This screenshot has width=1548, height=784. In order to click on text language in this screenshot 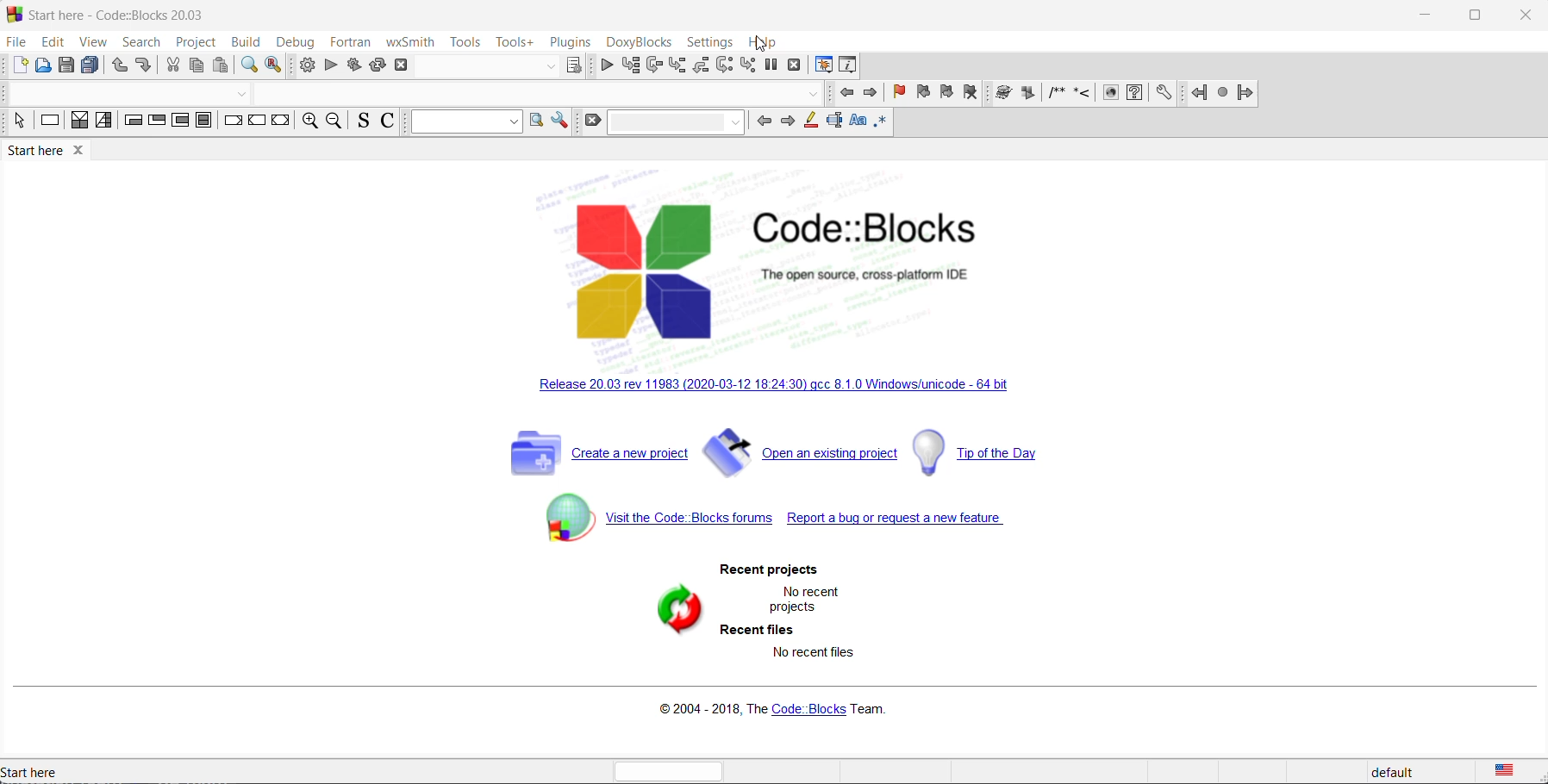, I will do `click(1514, 768)`.